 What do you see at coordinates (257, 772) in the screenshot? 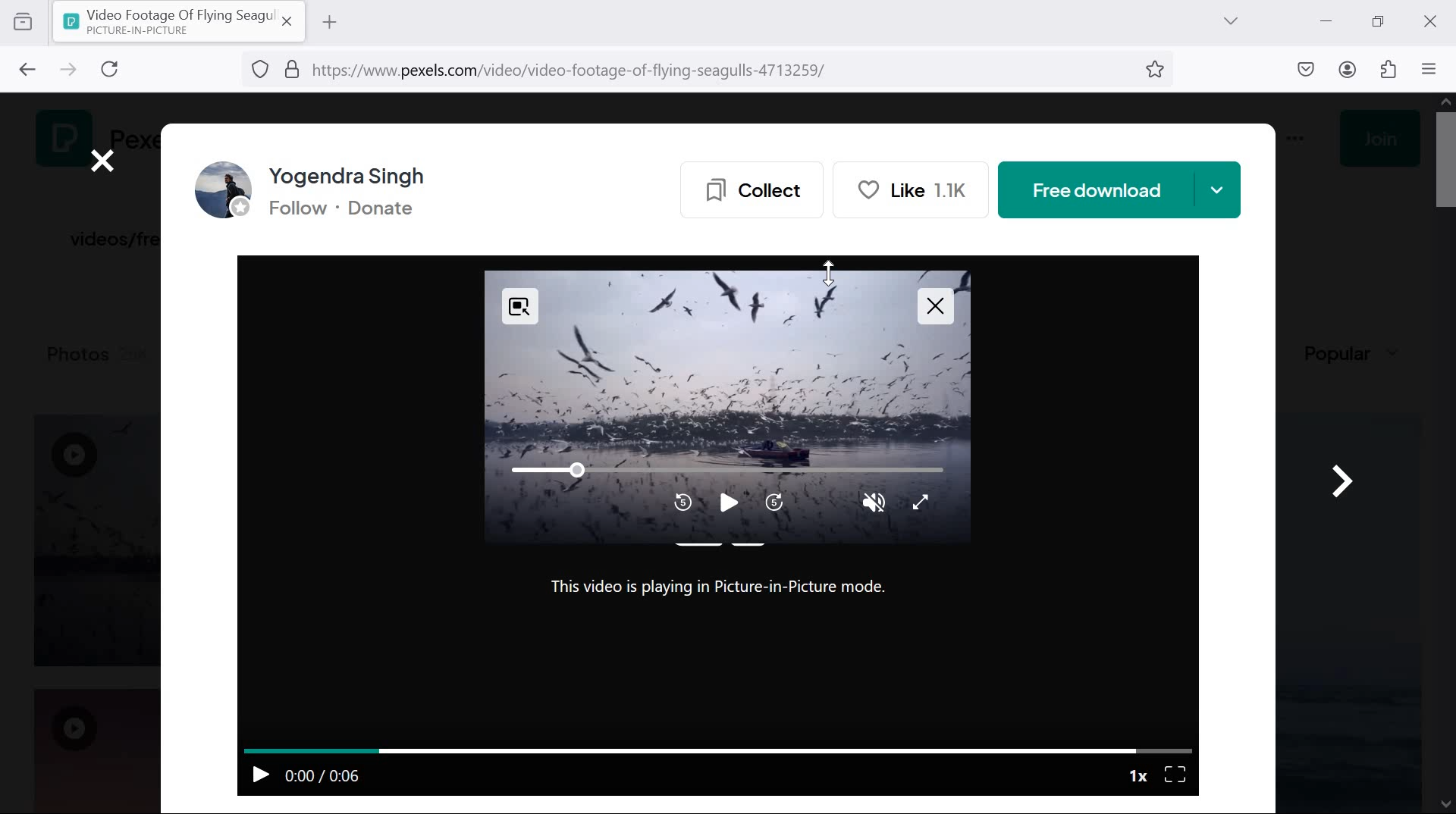
I see `play` at bounding box center [257, 772].